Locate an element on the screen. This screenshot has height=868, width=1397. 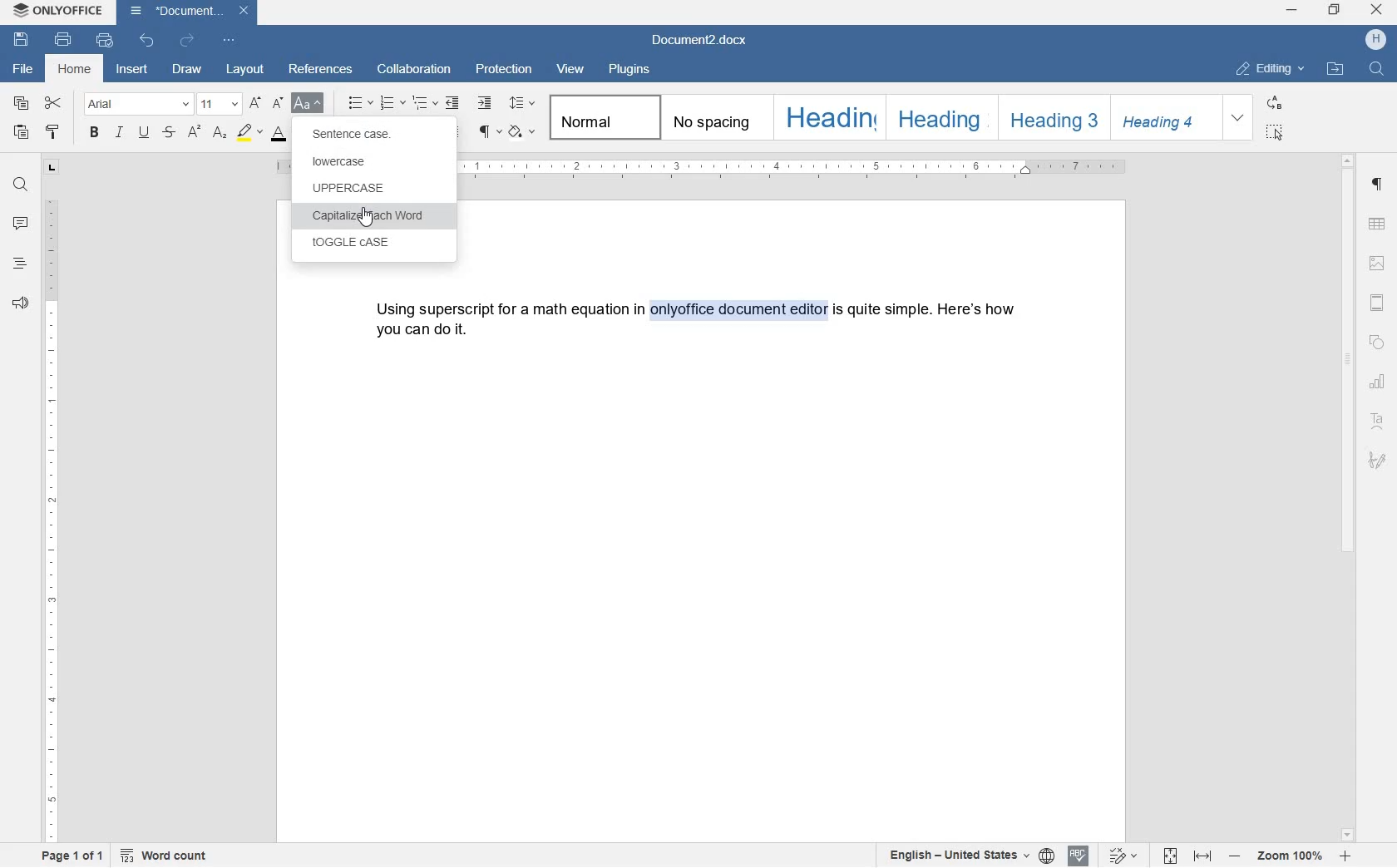
numbering is located at coordinates (392, 102).